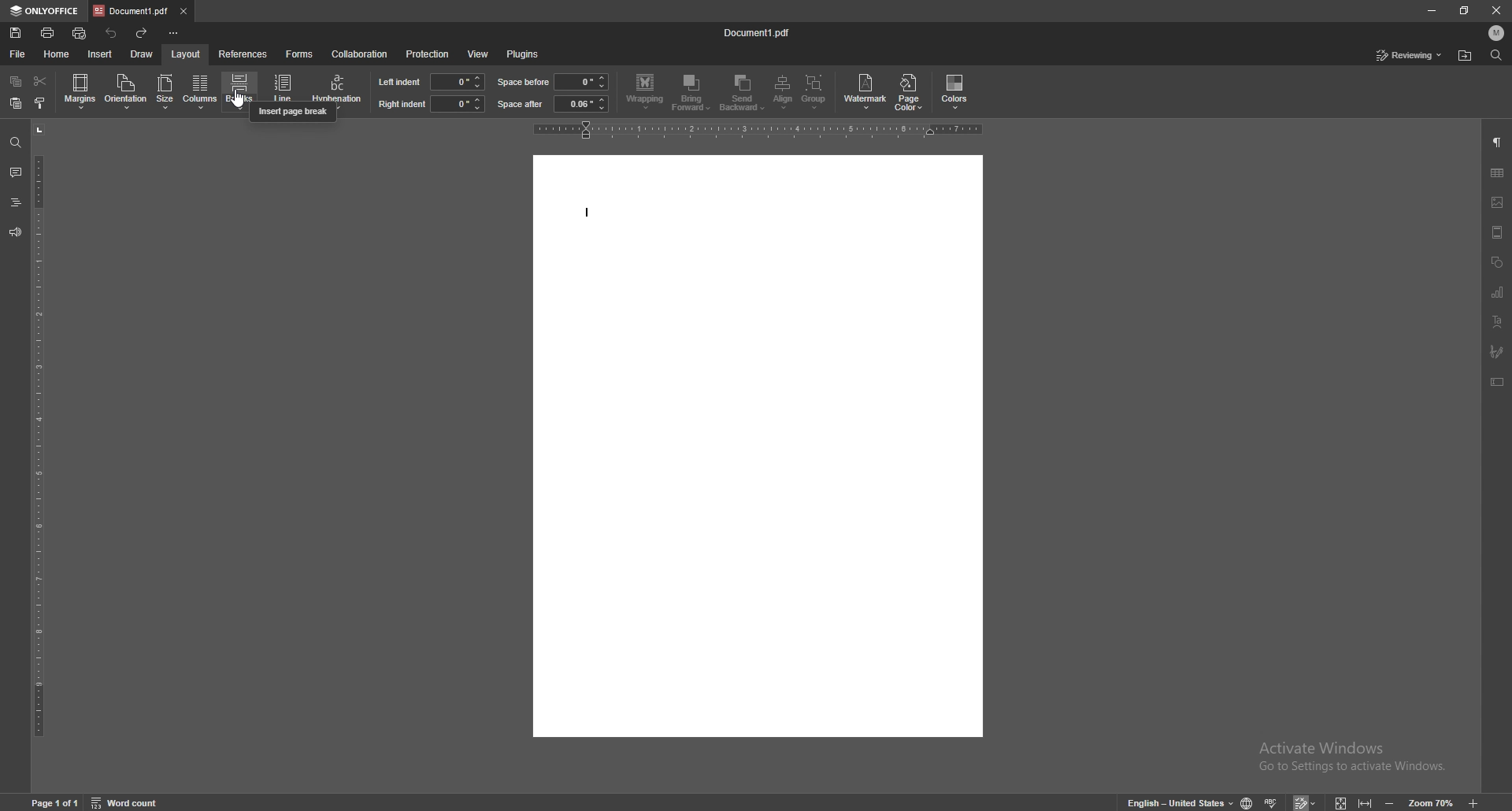  Describe the element at coordinates (1431, 9) in the screenshot. I see `minimize` at that location.